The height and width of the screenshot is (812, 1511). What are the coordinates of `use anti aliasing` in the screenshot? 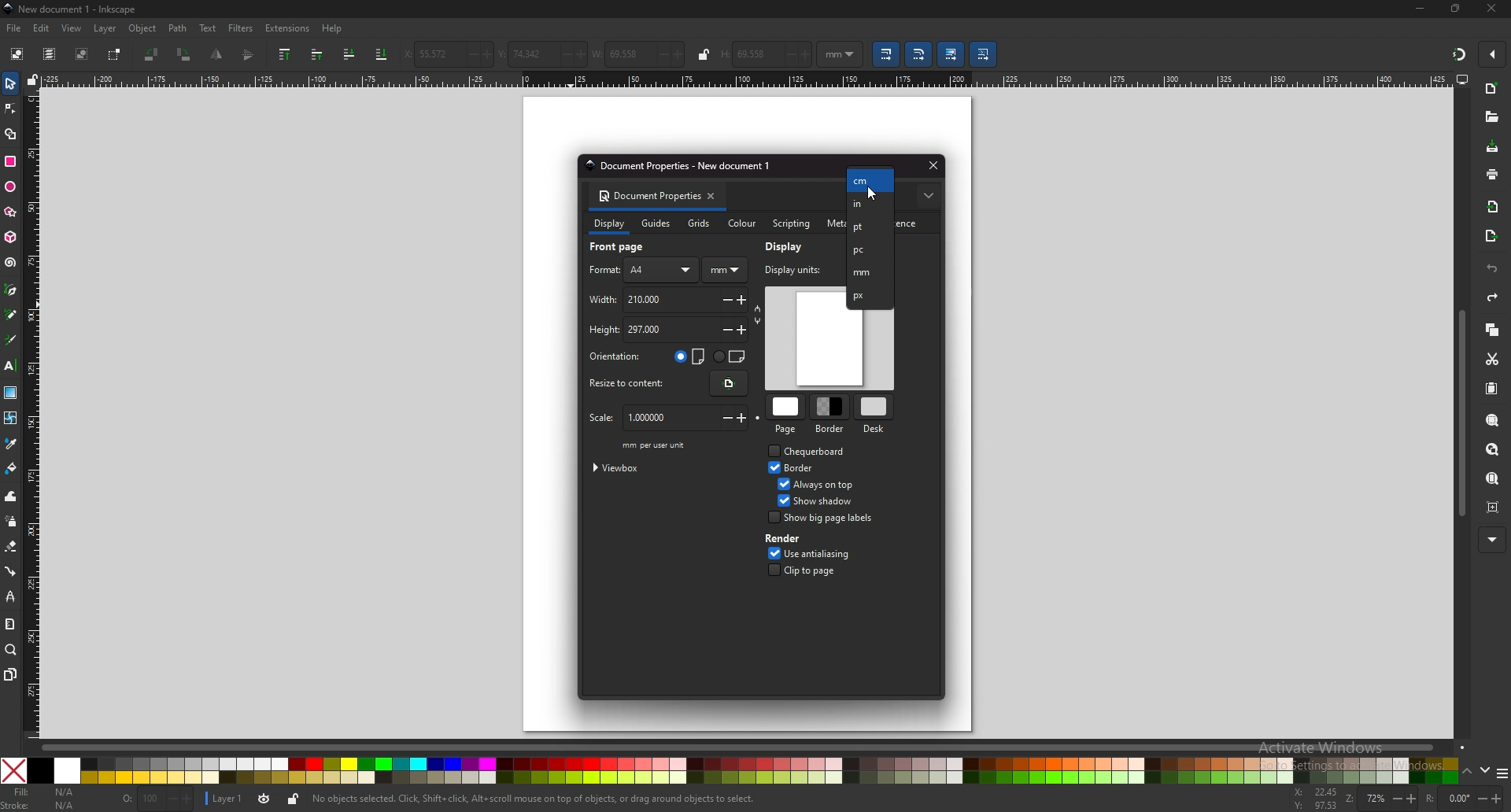 It's located at (835, 553).